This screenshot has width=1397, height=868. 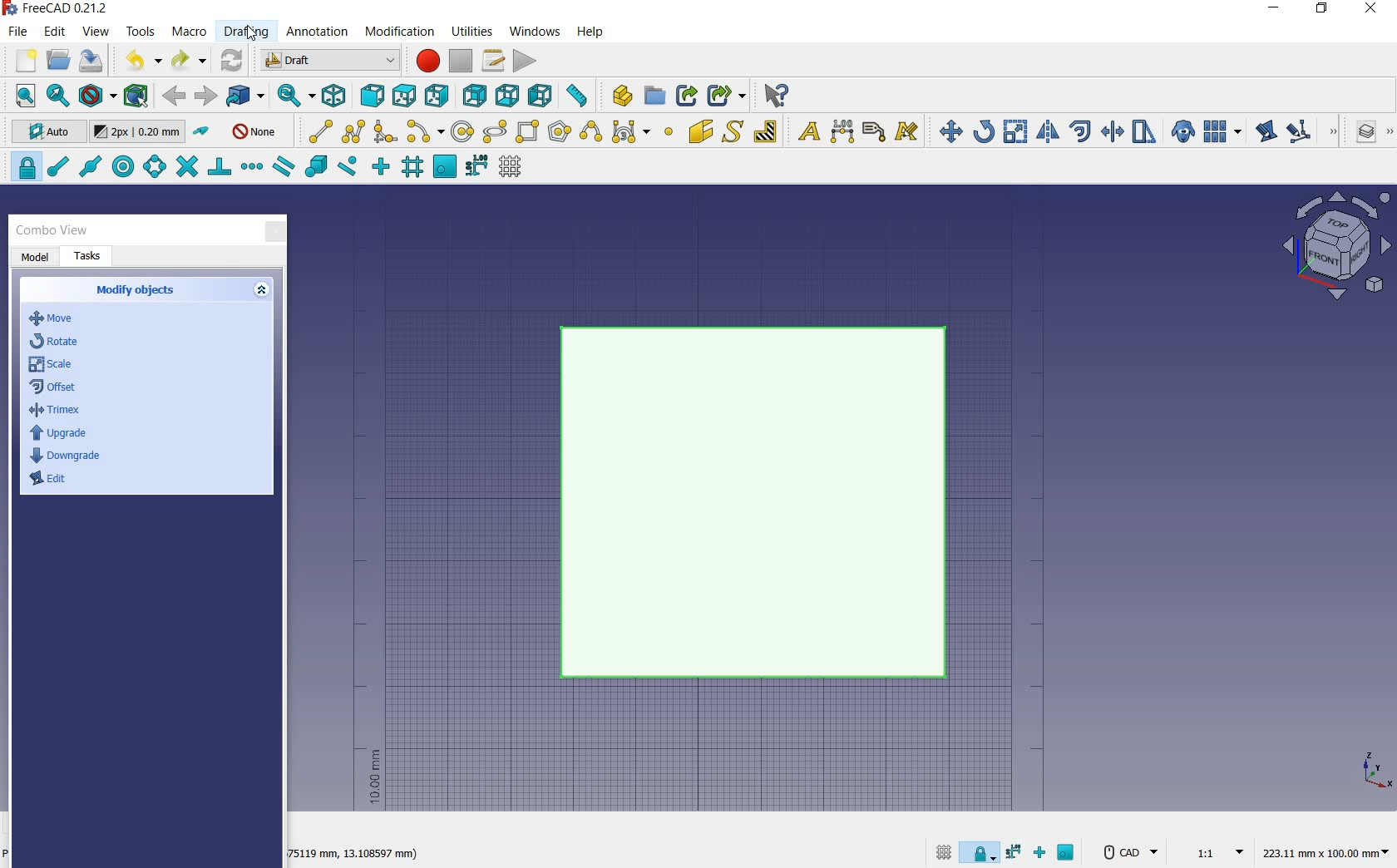 What do you see at coordinates (335, 98) in the screenshot?
I see `isometric` at bounding box center [335, 98].